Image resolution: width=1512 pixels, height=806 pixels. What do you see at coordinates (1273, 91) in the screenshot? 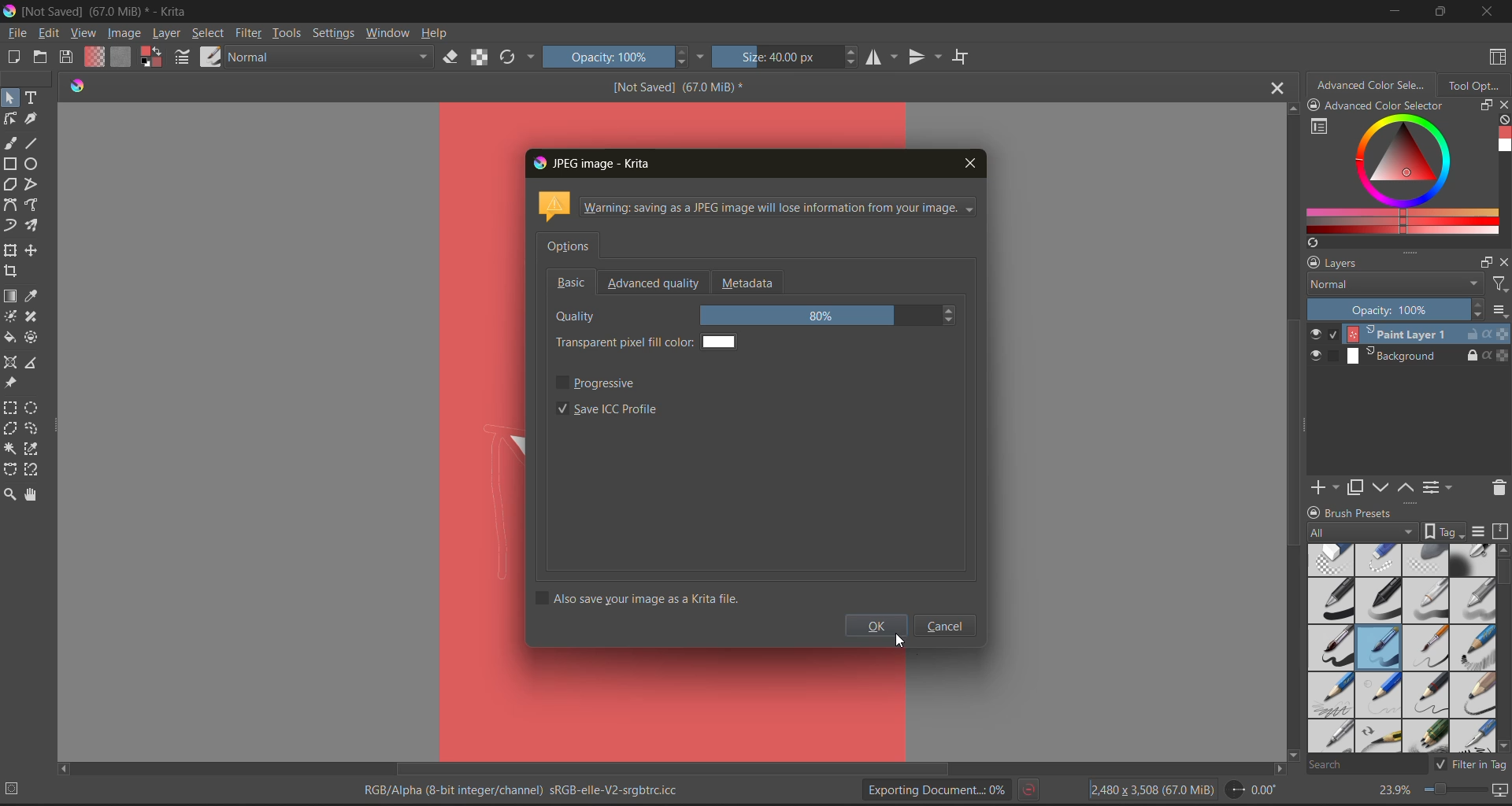
I see `close tab` at bounding box center [1273, 91].